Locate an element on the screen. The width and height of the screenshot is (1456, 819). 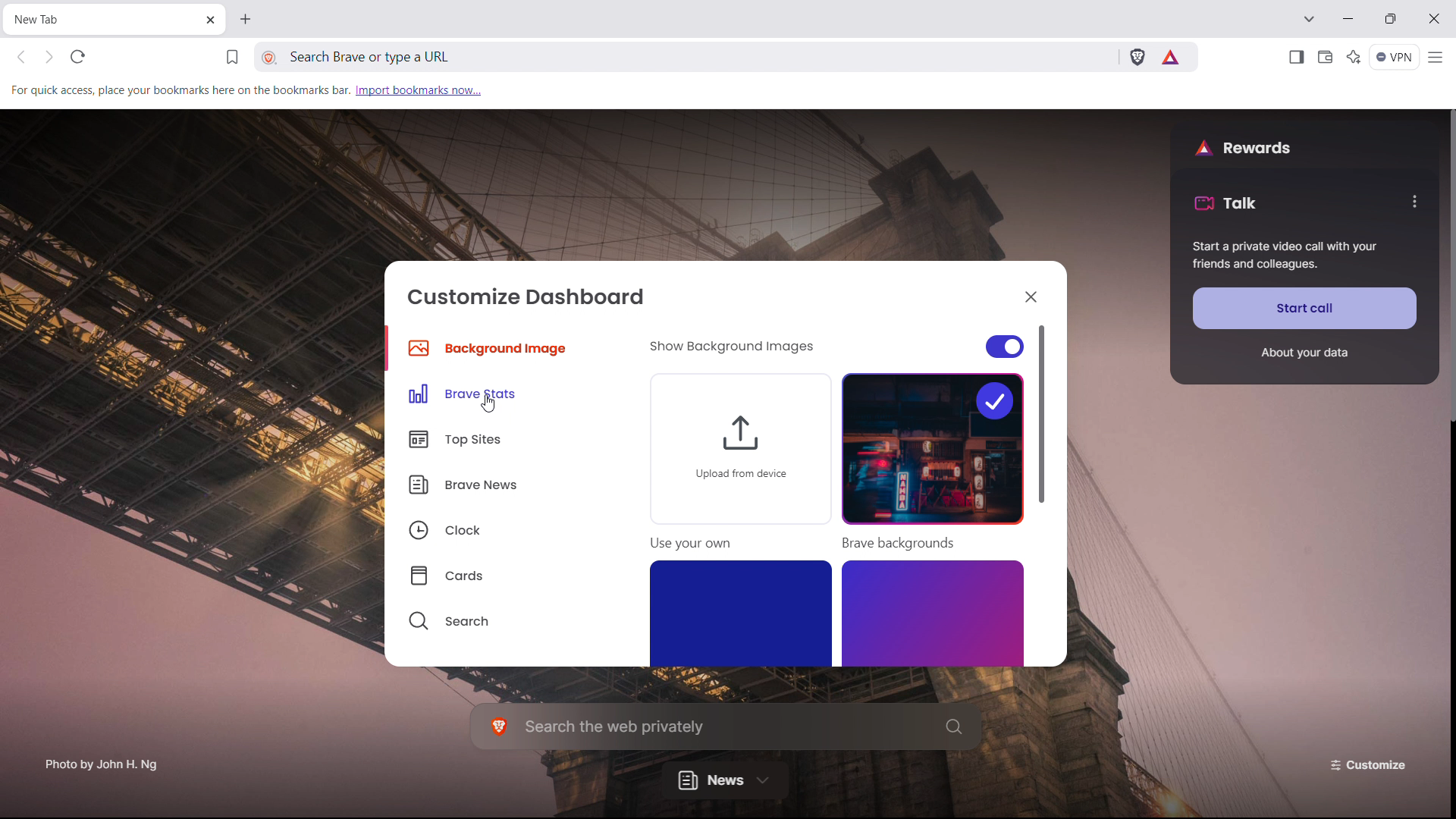
import bookmarks now is located at coordinates (419, 89).